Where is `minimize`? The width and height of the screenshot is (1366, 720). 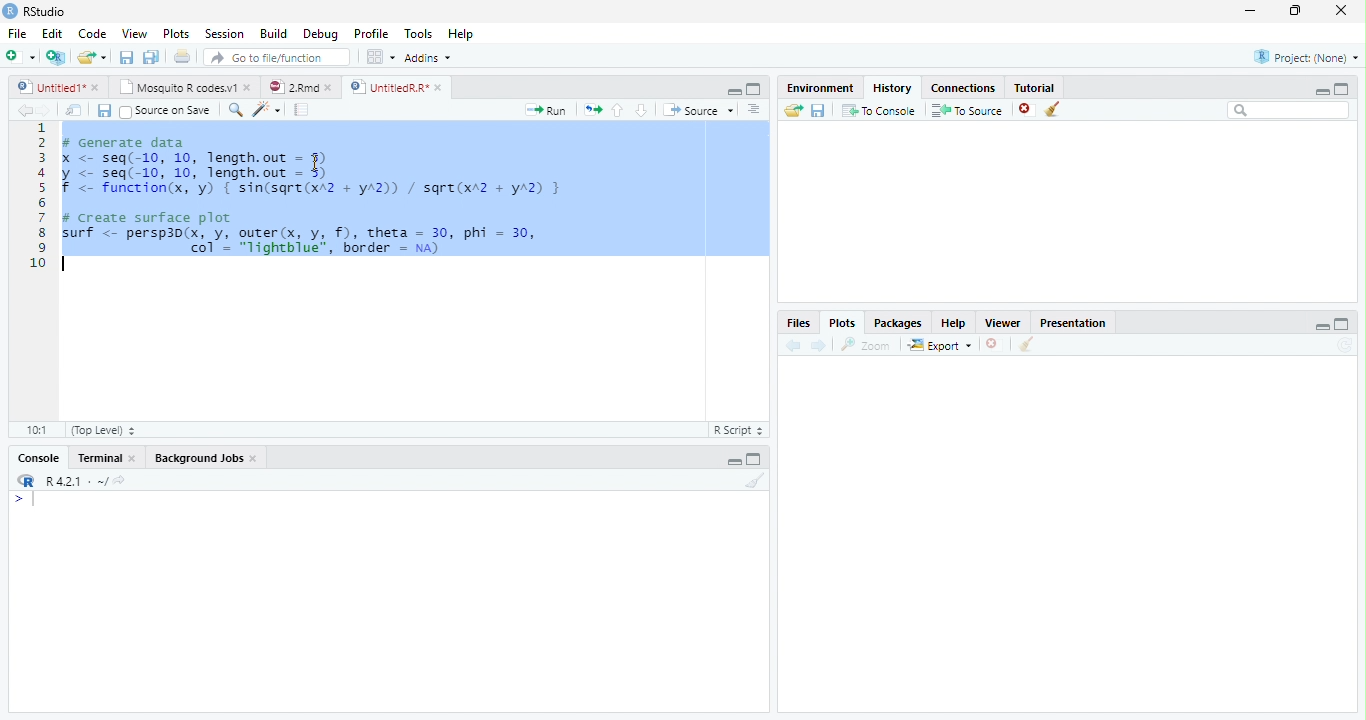 minimize is located at coordinates (1250, 10).